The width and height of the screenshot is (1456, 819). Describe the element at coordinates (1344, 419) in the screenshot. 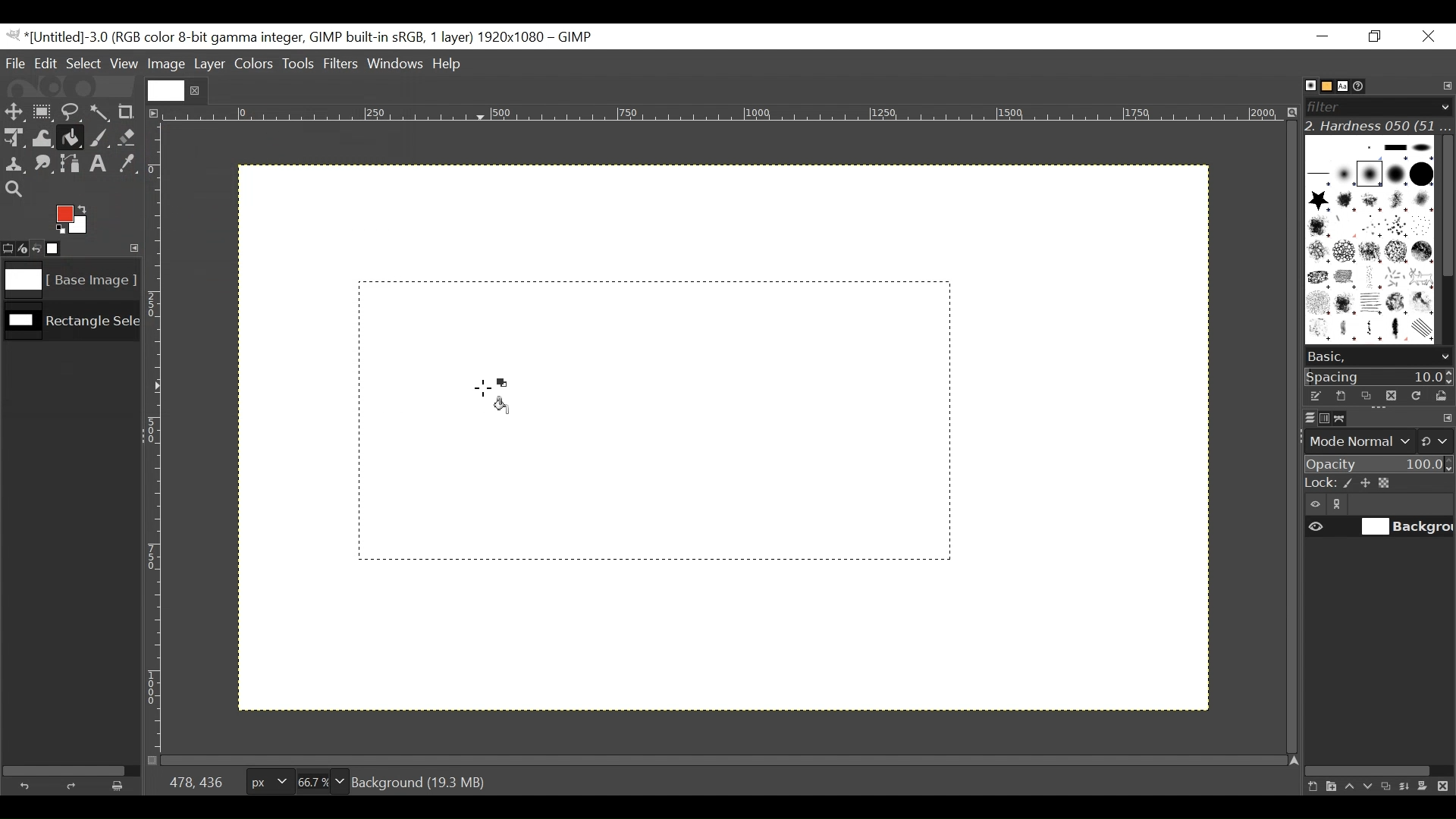

I see `Paths` at that location.